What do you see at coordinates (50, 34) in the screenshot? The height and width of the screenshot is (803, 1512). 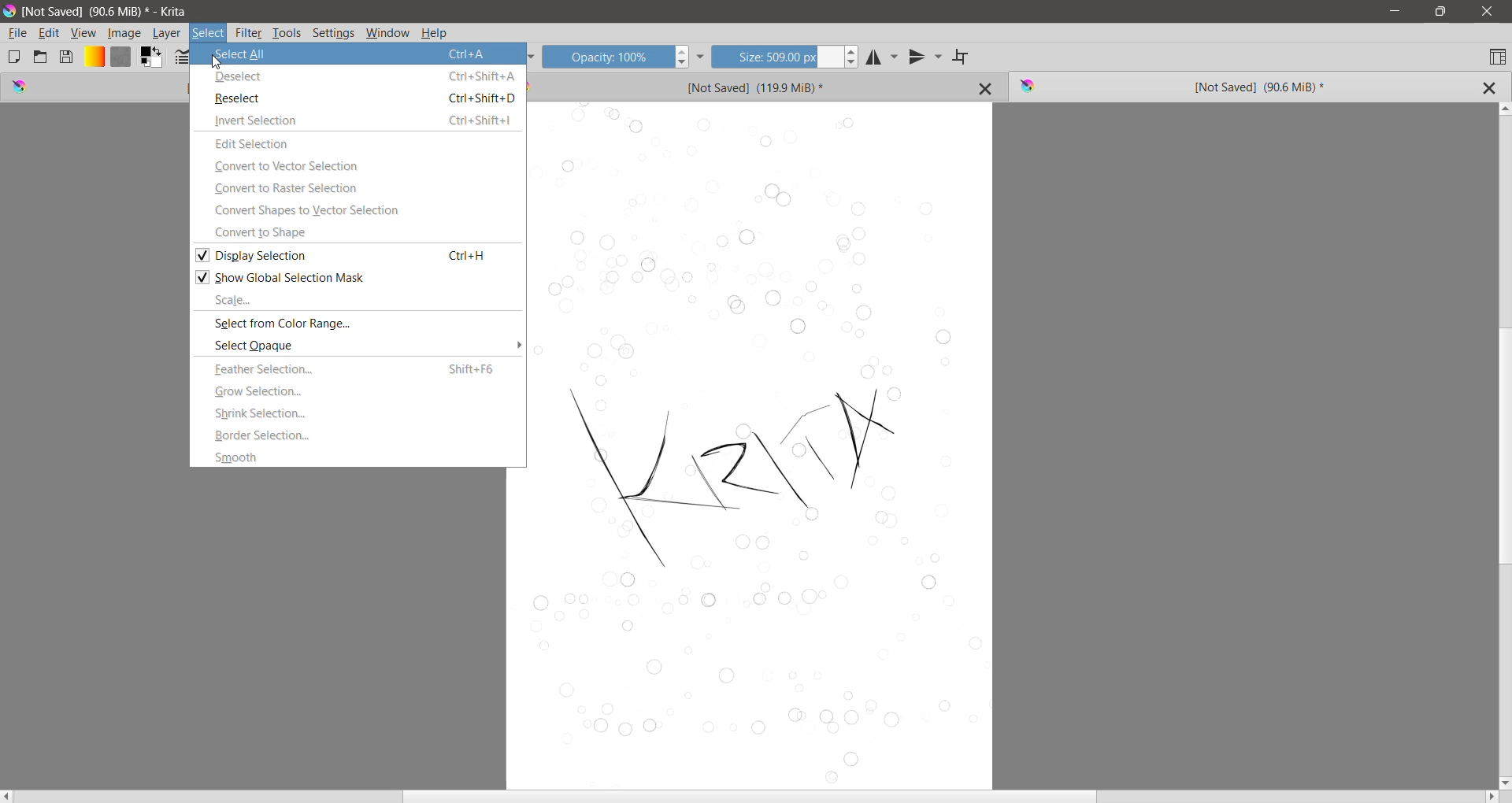 I see `Edit` at bounding box center [50, 34].